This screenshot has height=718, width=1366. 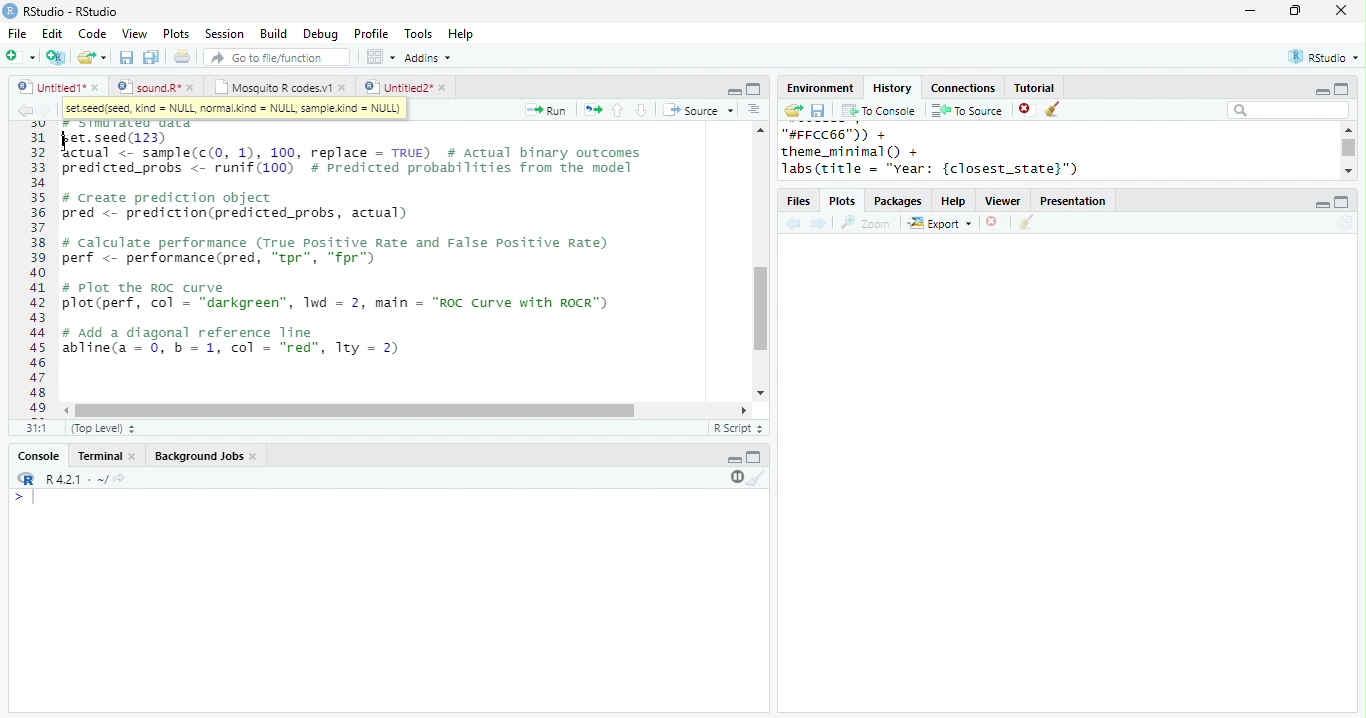 I want to click on minimize, so click(x=734, y=460).